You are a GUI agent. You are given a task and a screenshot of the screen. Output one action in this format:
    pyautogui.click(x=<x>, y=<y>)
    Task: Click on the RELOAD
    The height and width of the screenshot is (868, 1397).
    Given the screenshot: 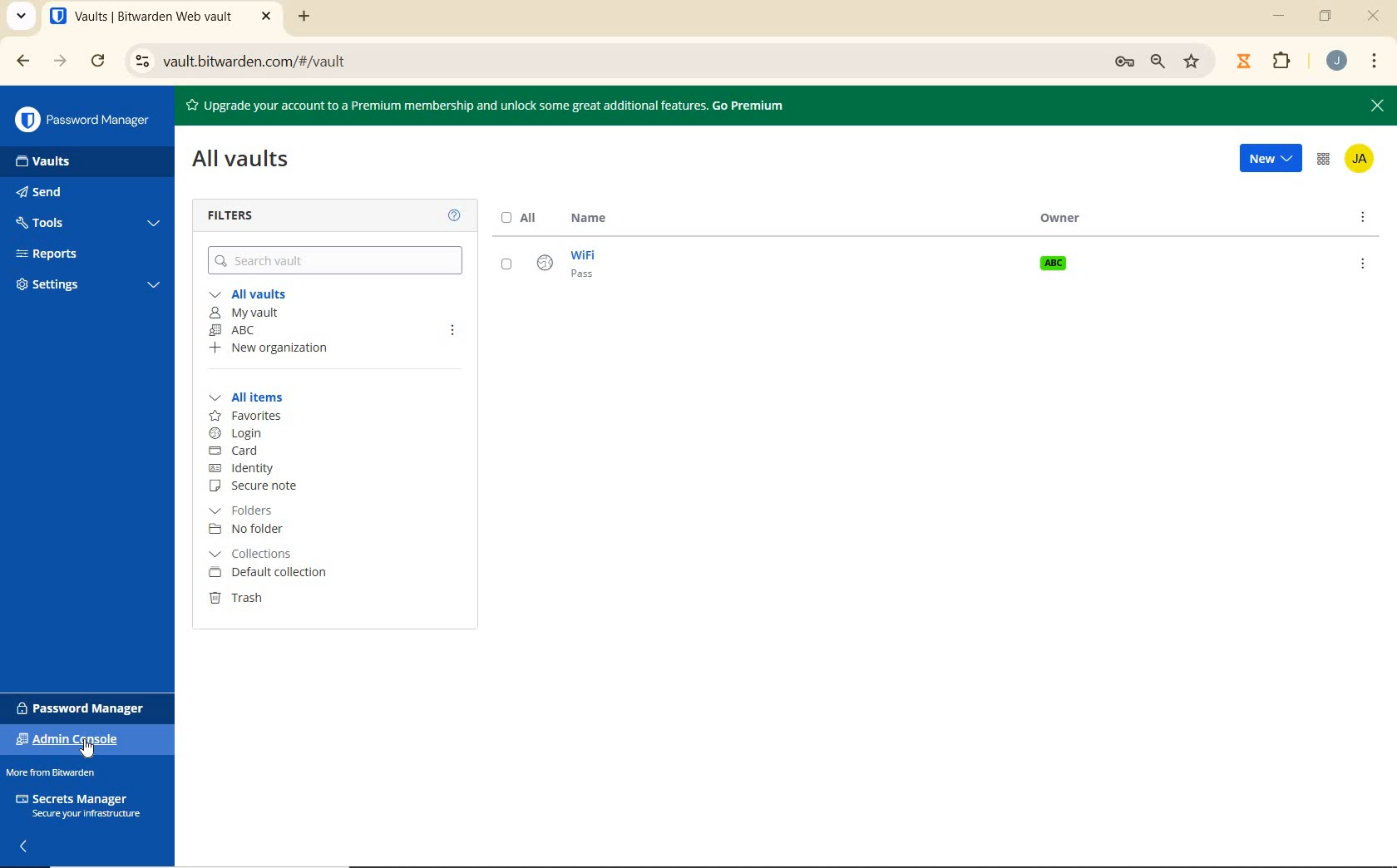 What is the action you would take?
    pyautogui.click(x=98, y=62)
    